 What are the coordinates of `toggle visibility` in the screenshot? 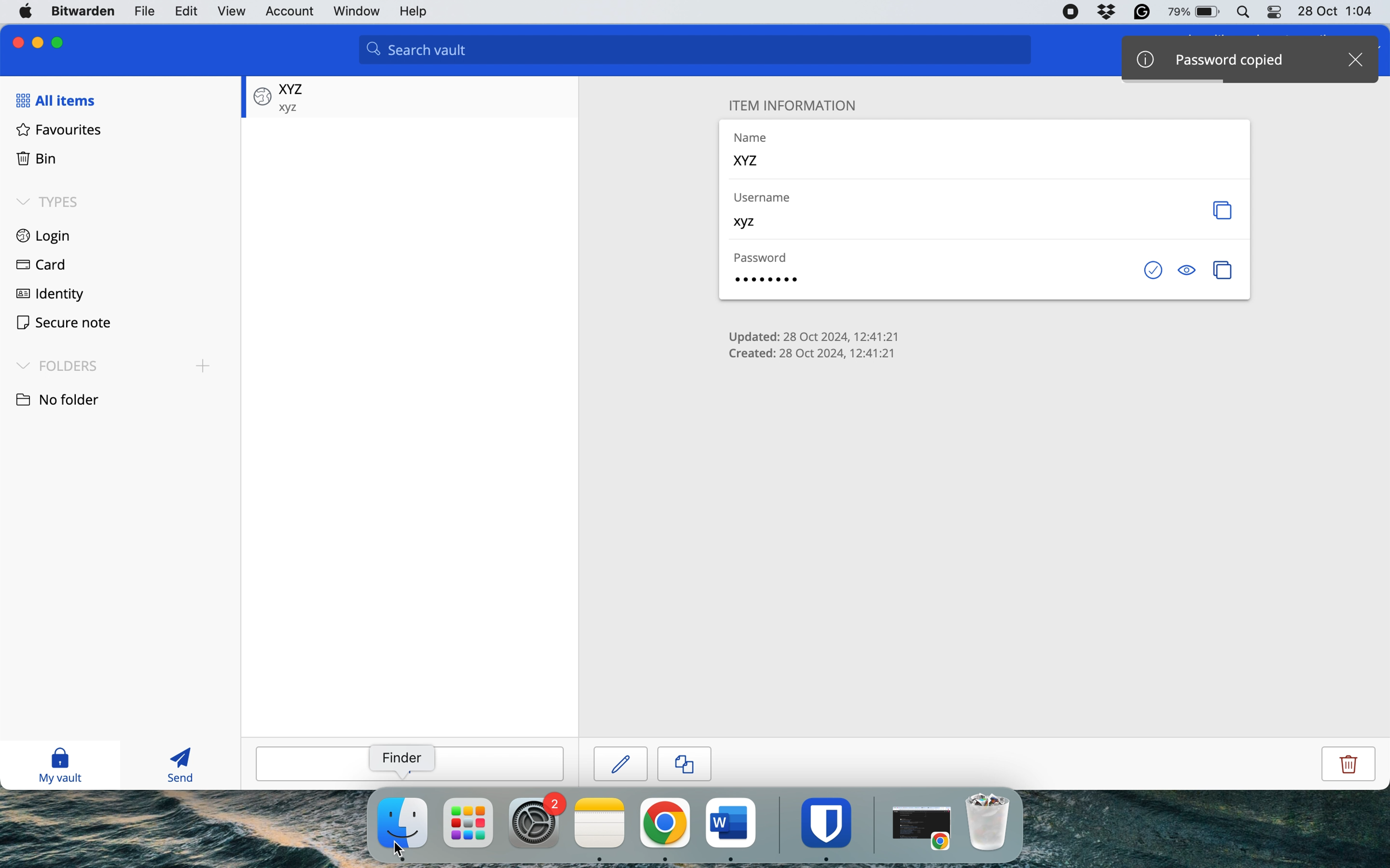 It's located at (1187, 270).